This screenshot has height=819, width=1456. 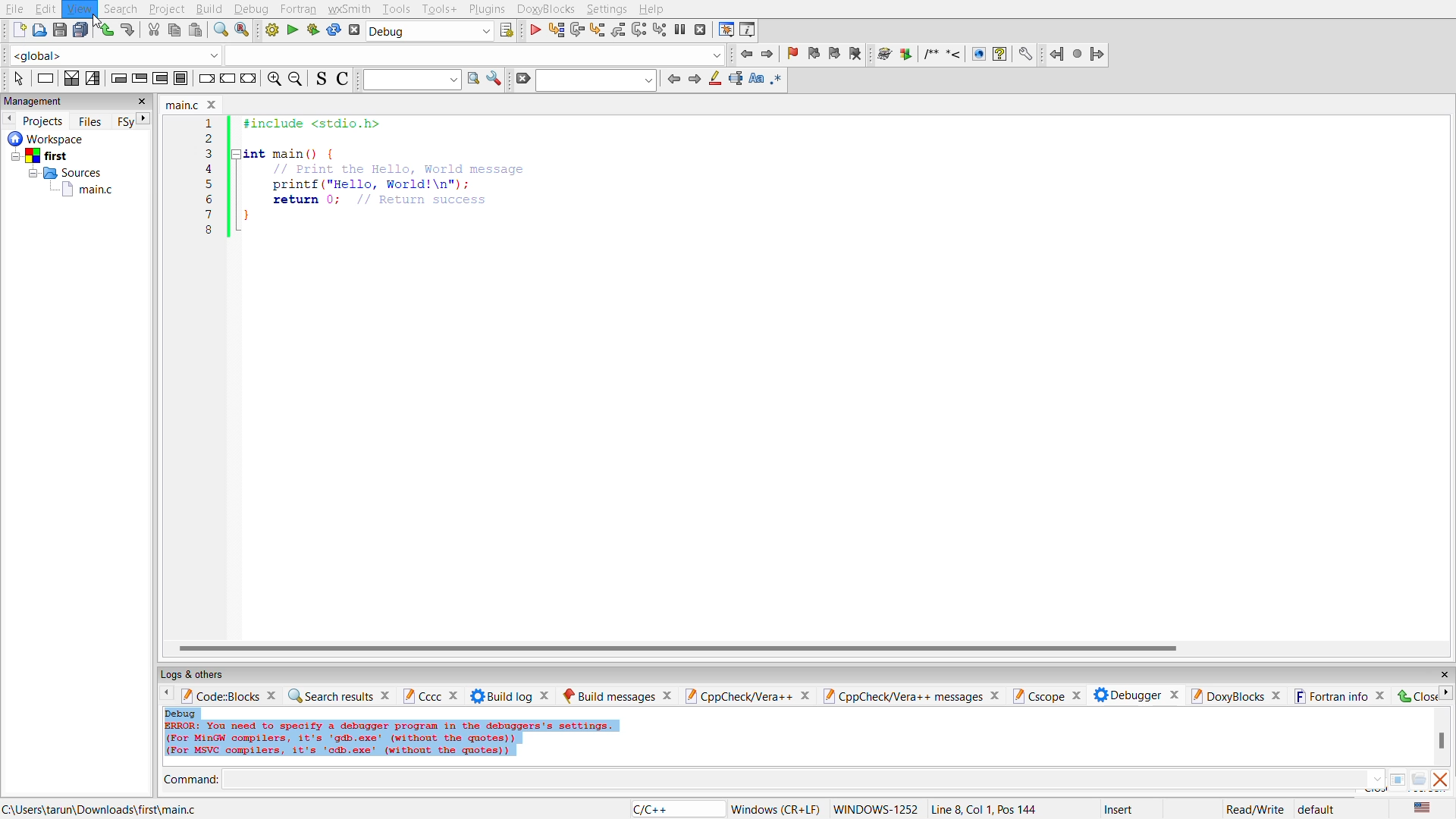 I want to click on run, so click(x=290, y=31).